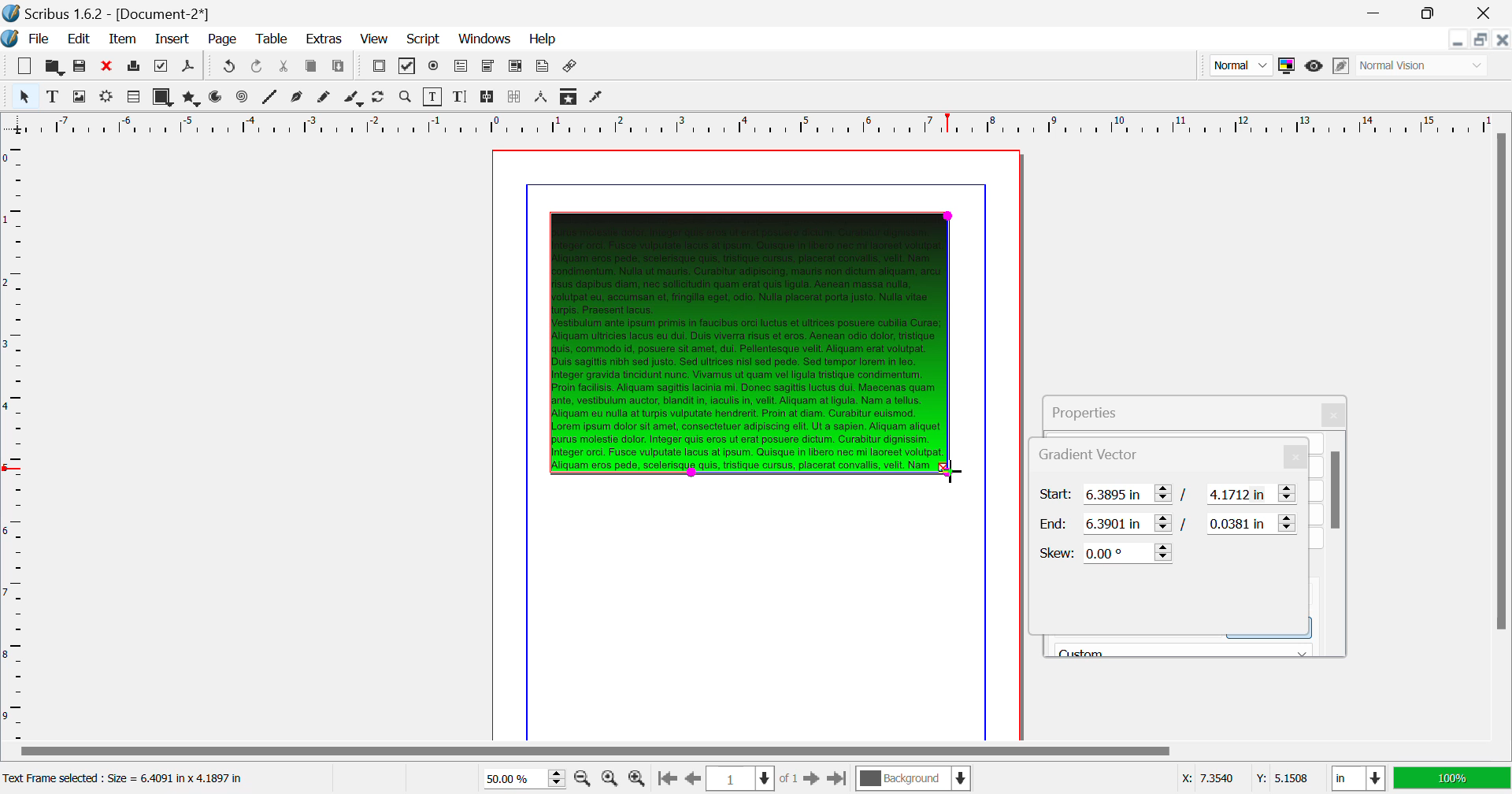 The image size is (1512, 794). What do you see at coordinates (543, 98) in the screenshot?
I see `Measurements` at bounding box center [543, 98].